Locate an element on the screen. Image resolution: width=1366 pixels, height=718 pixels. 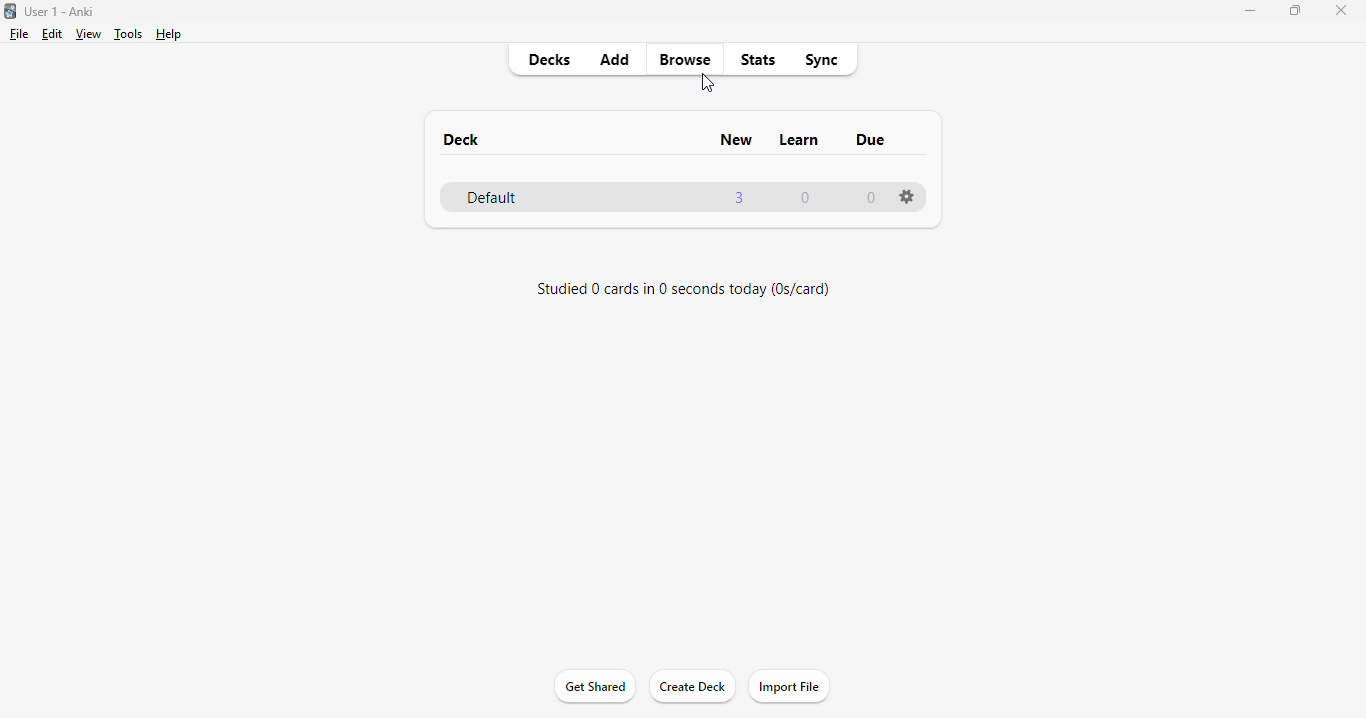
0 is located at coordinates (805, 198).